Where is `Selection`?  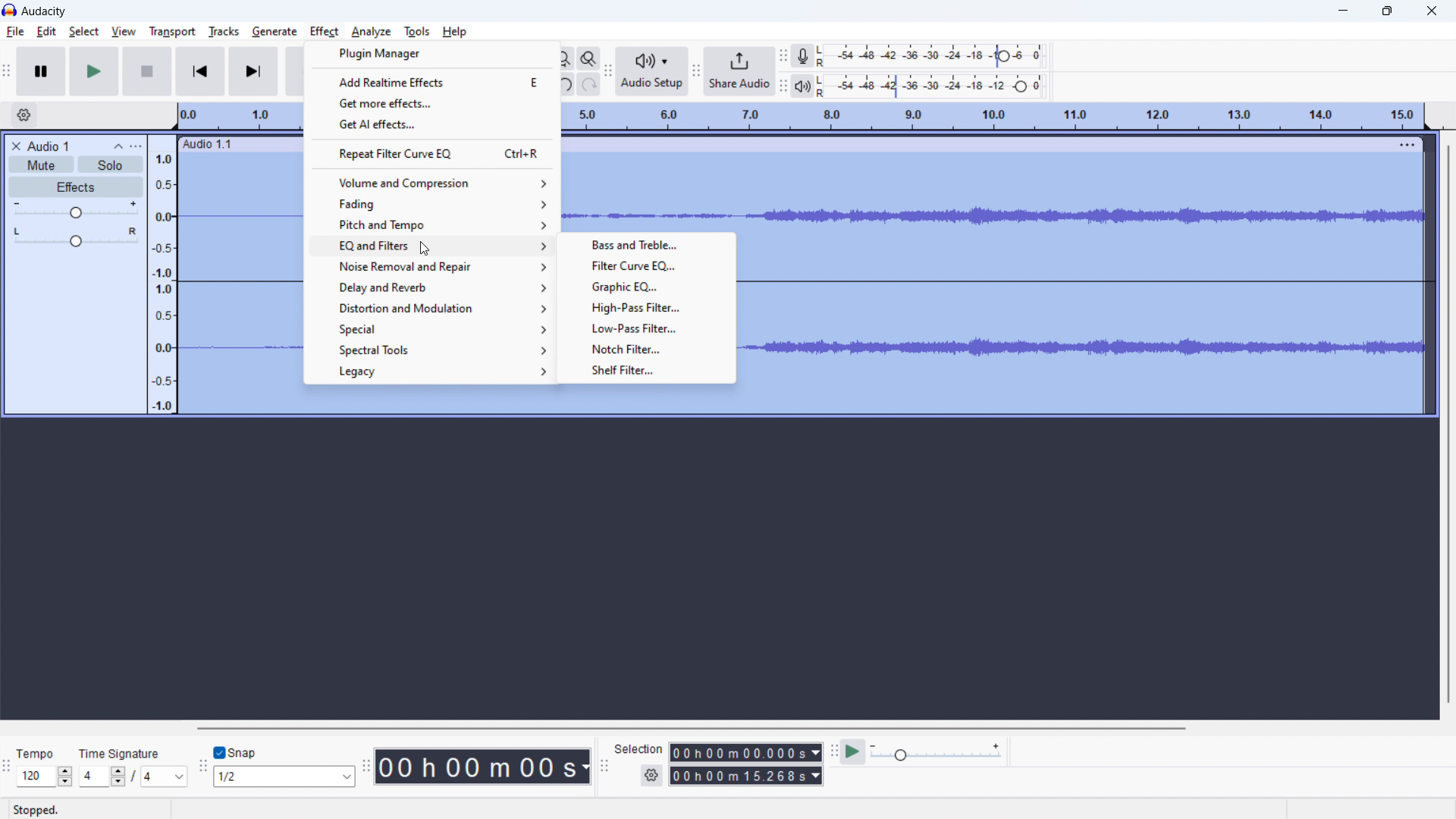
Selection is located at coordinates (639, 747).